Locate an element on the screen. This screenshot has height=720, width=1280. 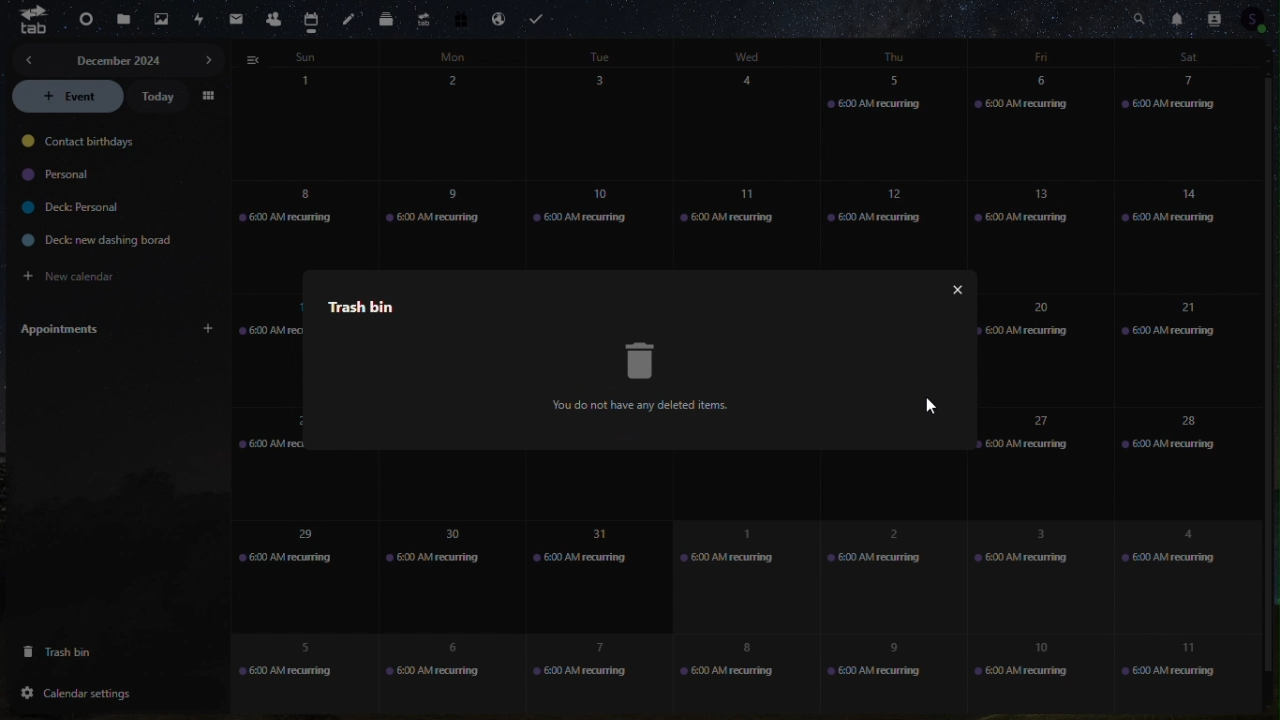
tab is located at coordinates (33, 24).